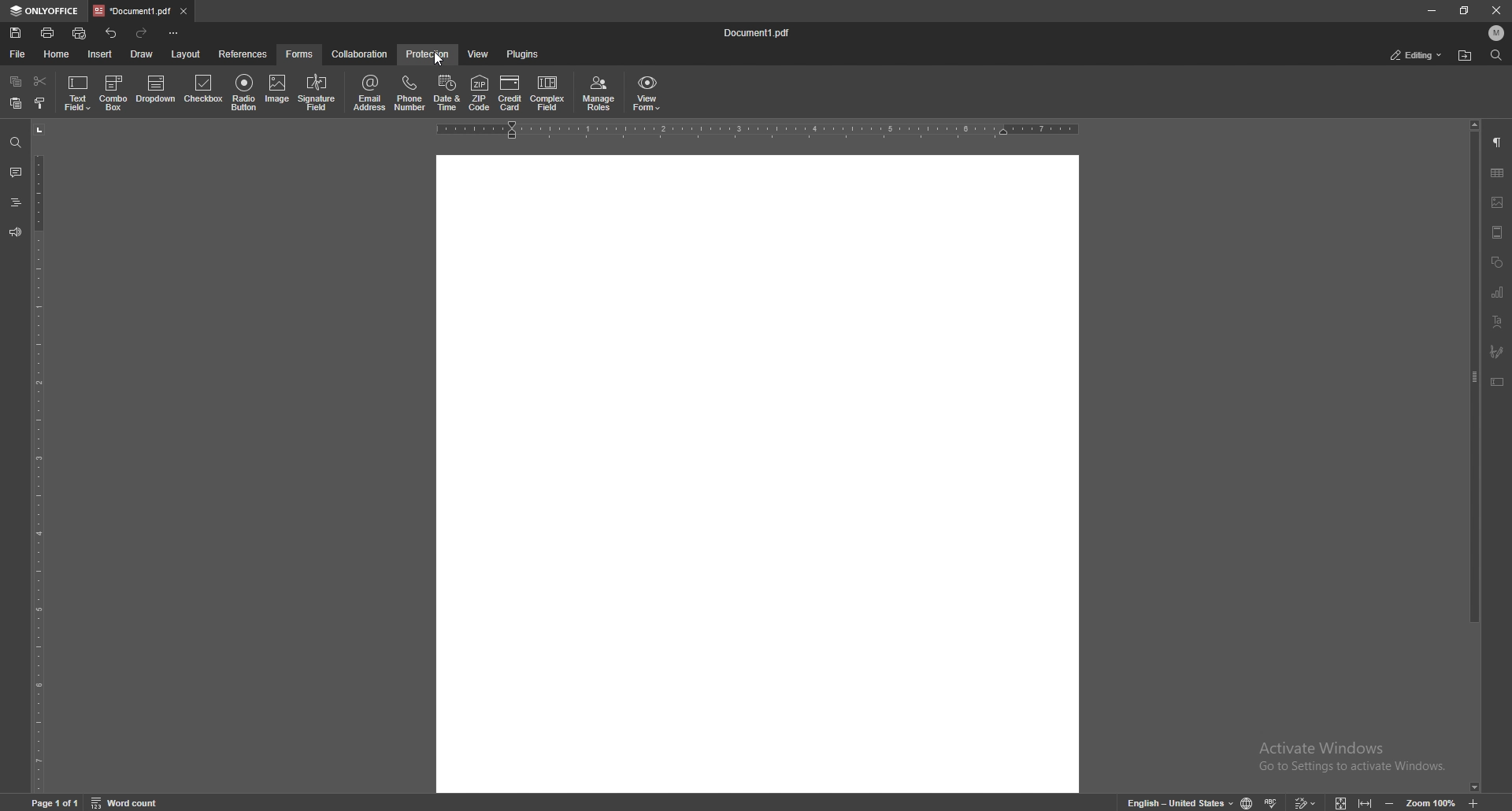 The height and width of the screenshot is (811, 1512). I want to click on zoom in, so click(1487, 803).